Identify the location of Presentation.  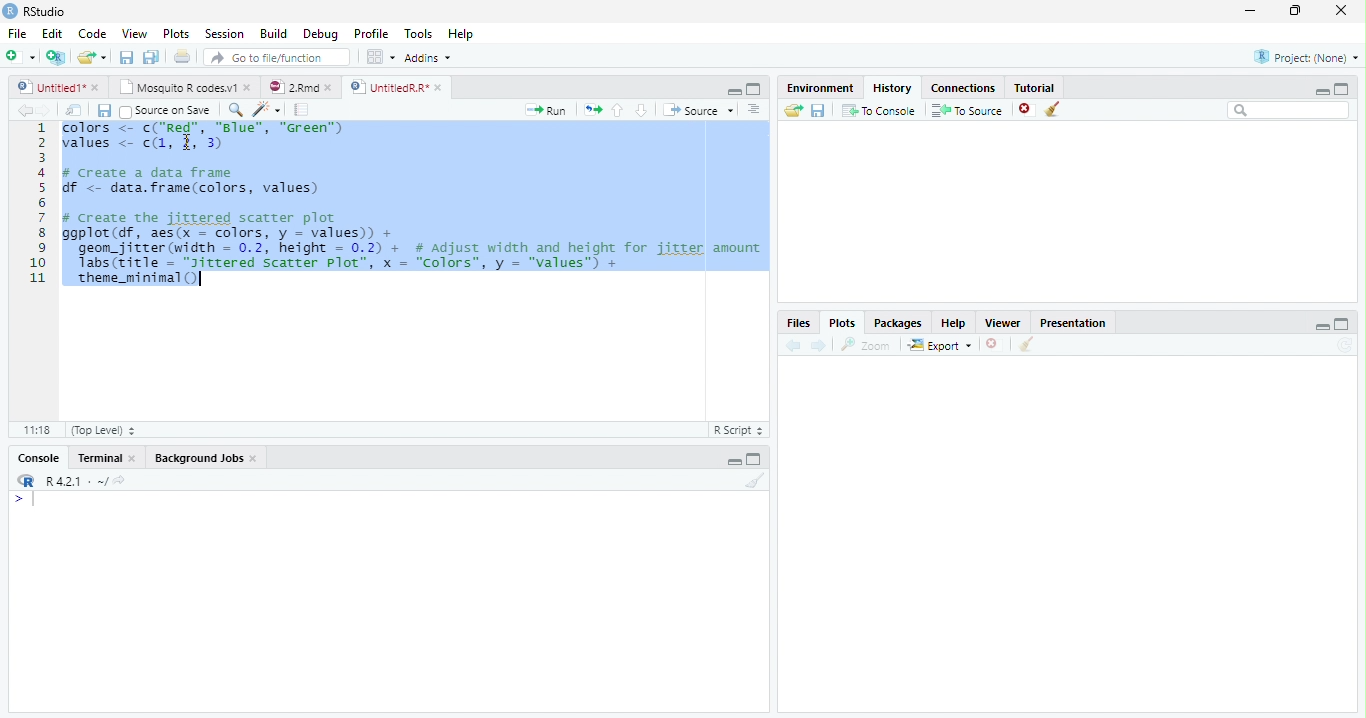
(1072, 322).